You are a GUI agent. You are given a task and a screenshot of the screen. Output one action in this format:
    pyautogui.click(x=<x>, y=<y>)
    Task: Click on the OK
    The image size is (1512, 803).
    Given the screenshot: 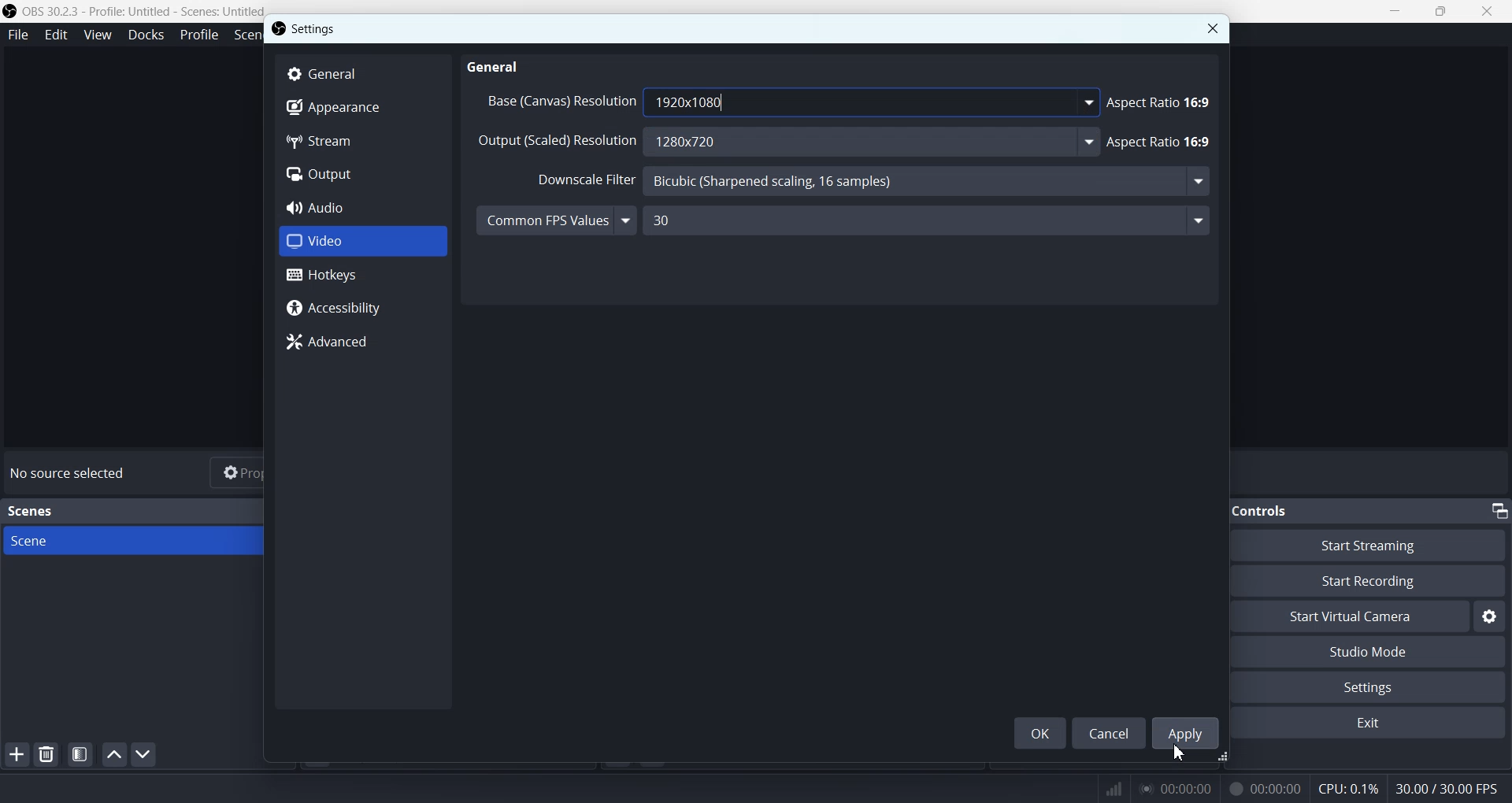 What is the action you would take?
    pyautogui.click(x=1039, y=733)
    